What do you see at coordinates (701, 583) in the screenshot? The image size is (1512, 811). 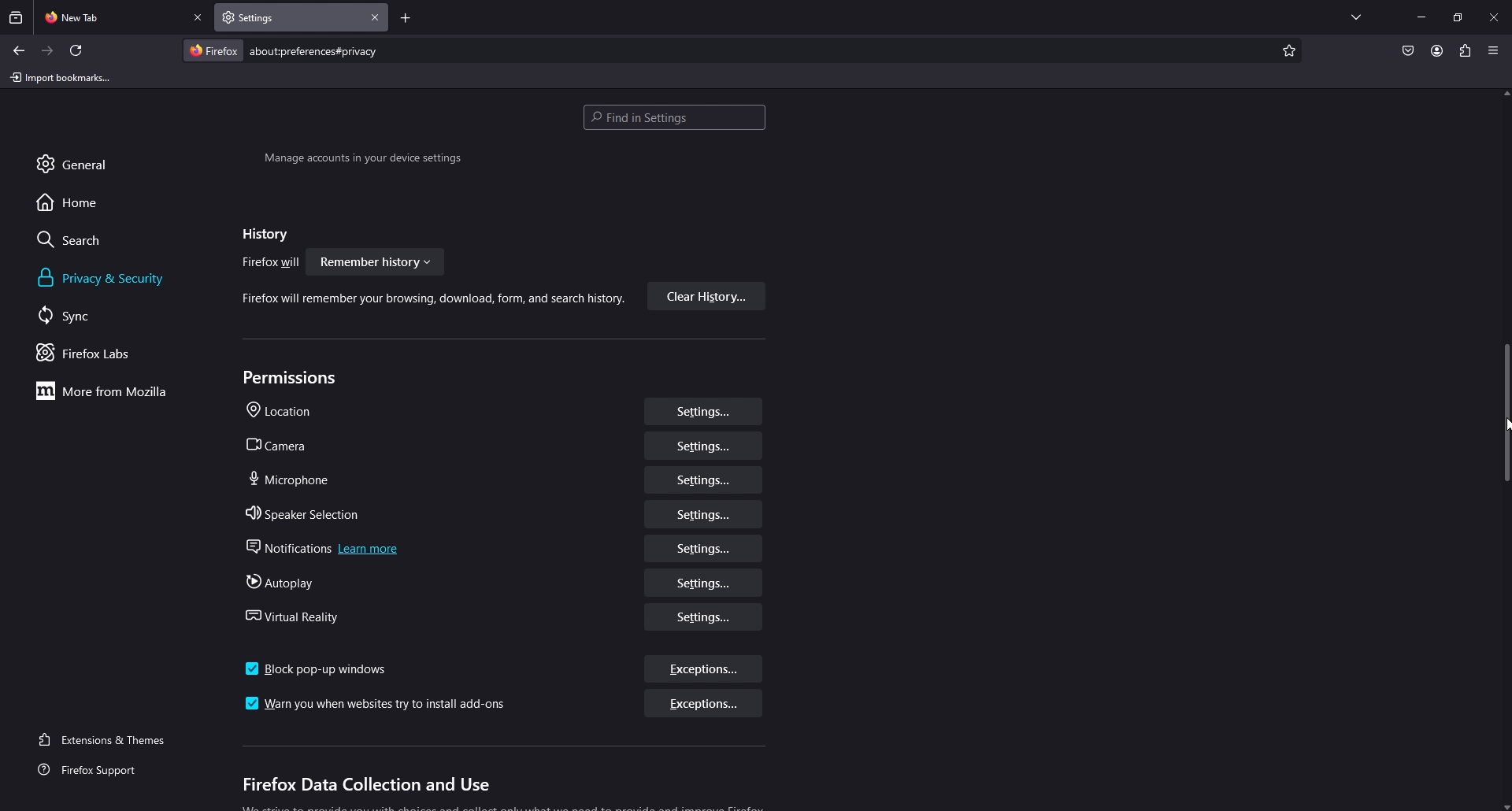 I see `settings` at bounding box center [701, 583].